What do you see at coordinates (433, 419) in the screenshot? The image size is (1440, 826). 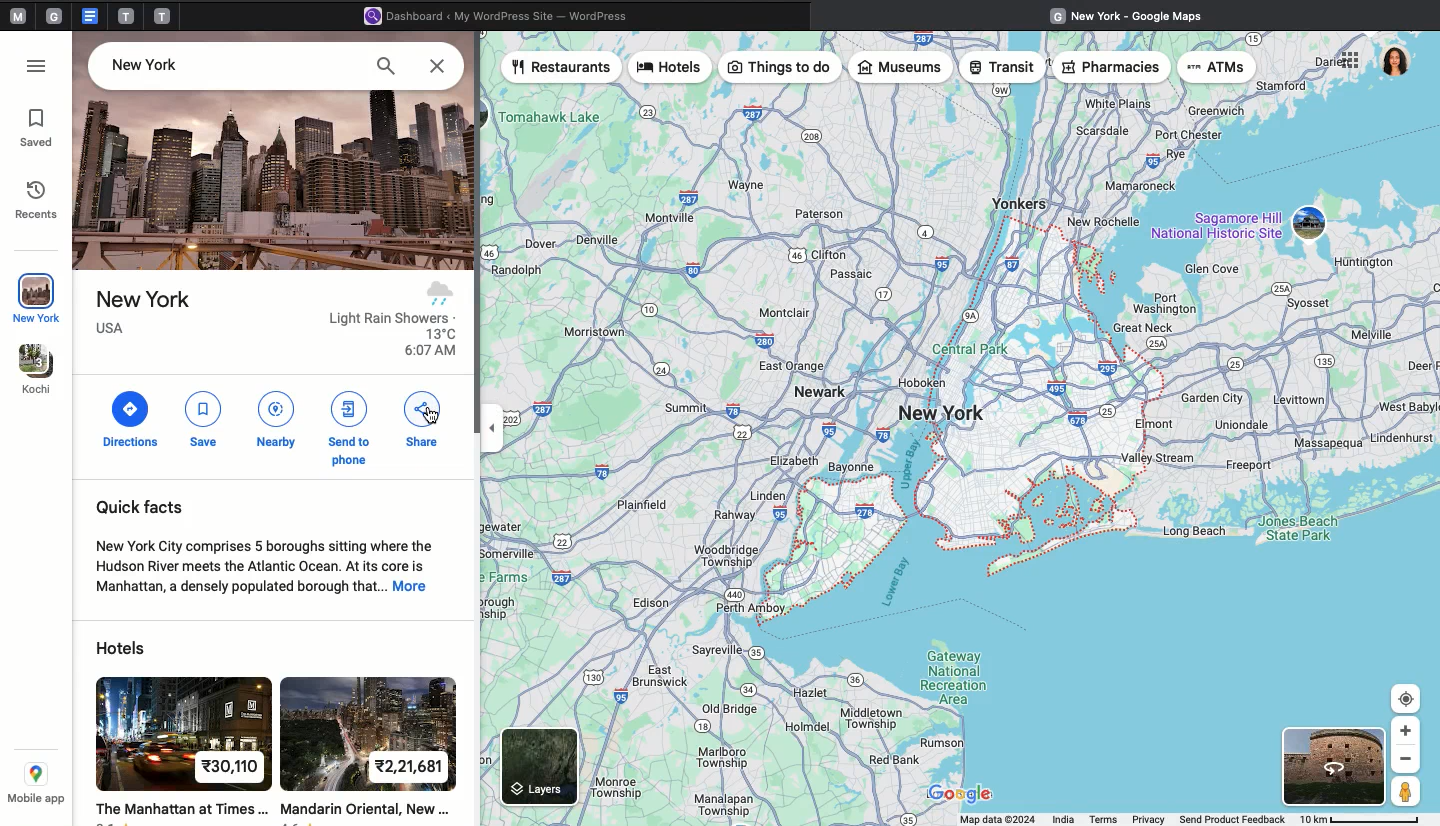 I see `cursor` at bounding box center [433, 419].